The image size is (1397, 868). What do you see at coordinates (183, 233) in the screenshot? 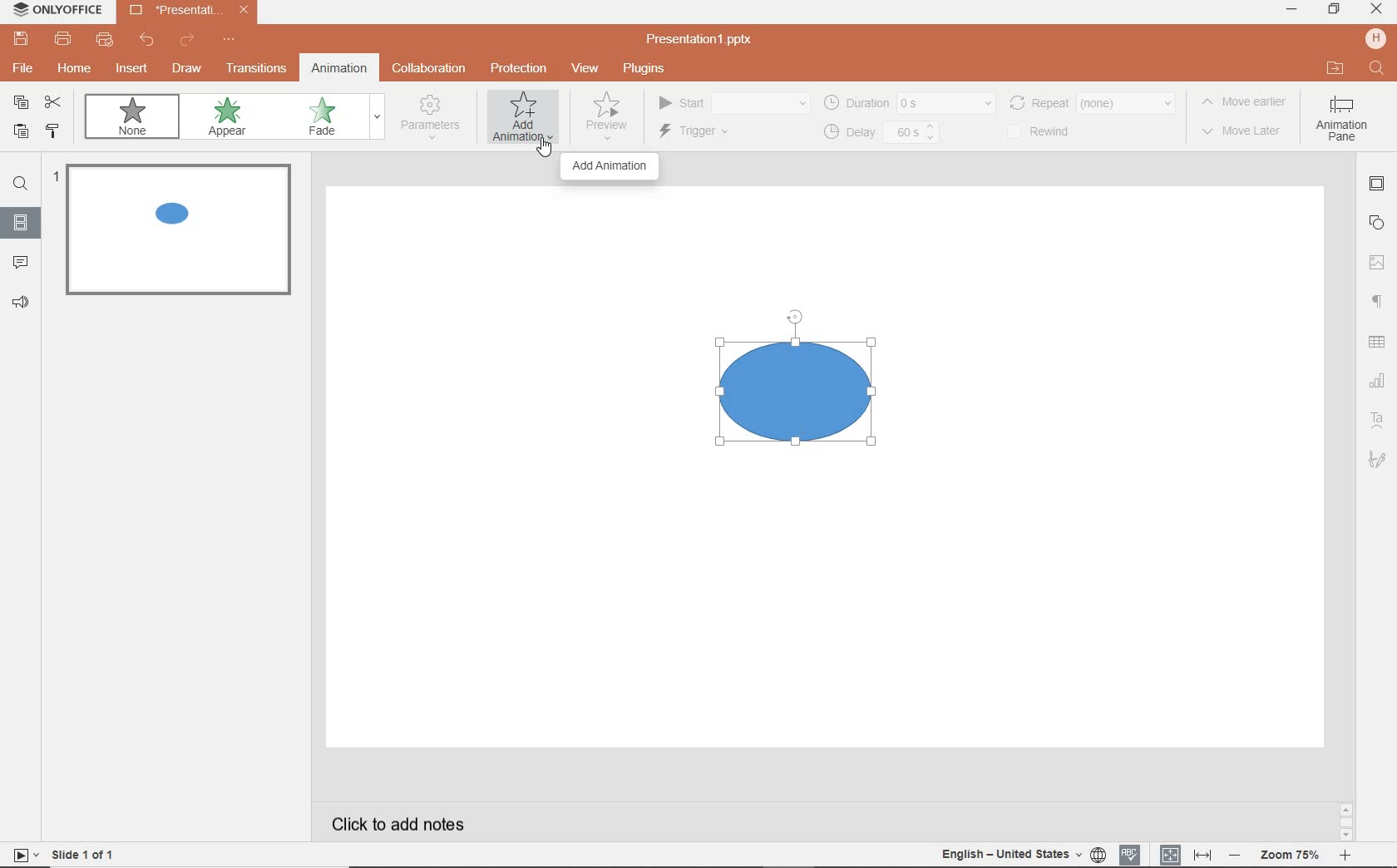
I see `slide1` at bounding box center [183, 233].